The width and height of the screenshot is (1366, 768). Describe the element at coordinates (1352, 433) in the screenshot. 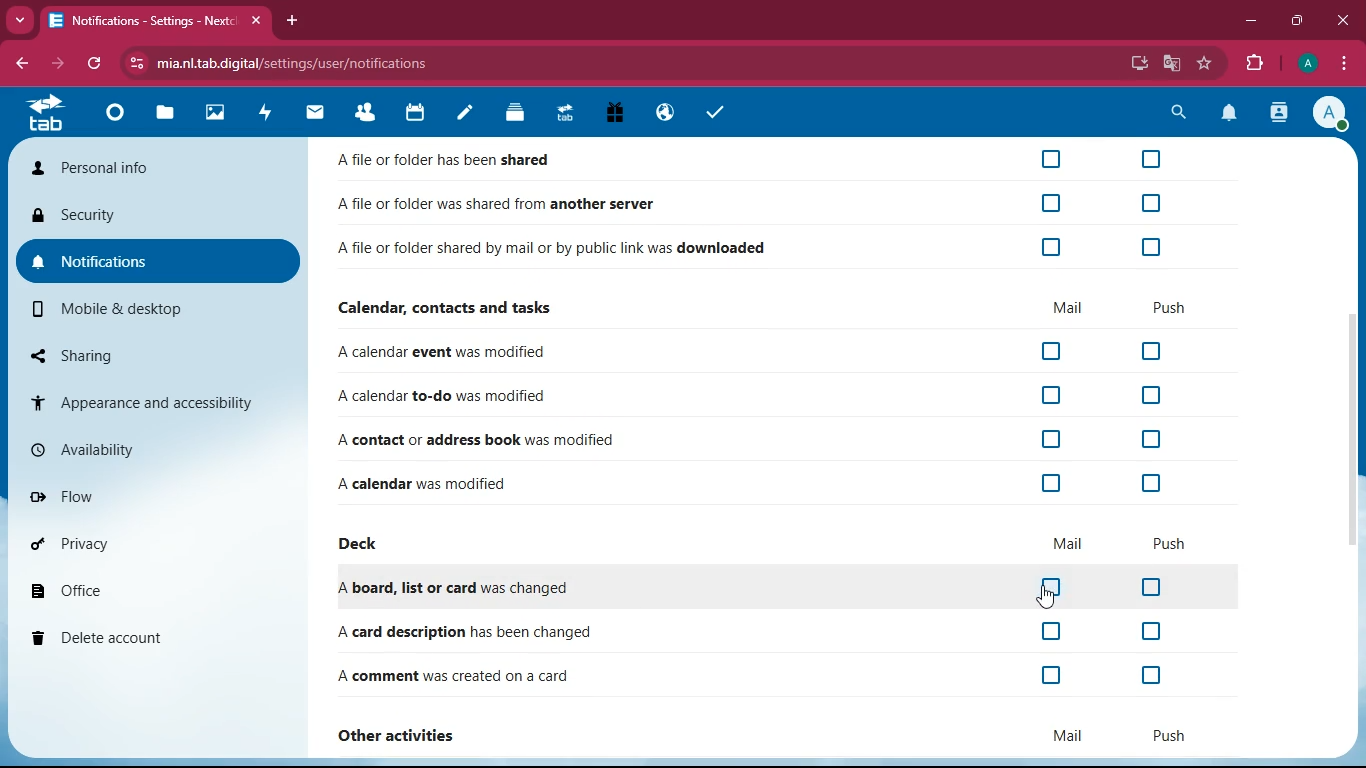

I see `Scroll bar` at that location.